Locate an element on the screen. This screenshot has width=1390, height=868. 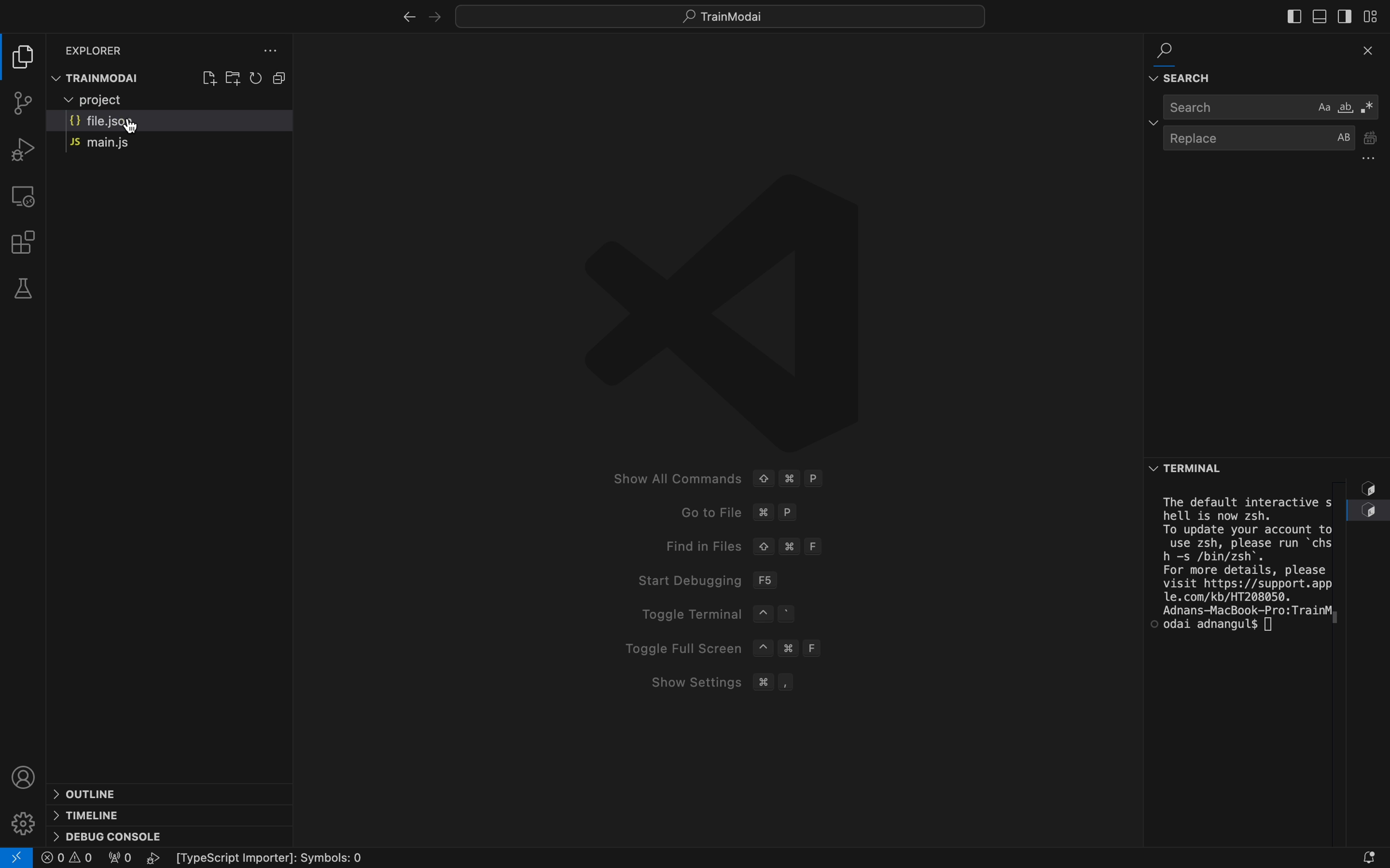
Extensions is located at coordinates (25, 241).